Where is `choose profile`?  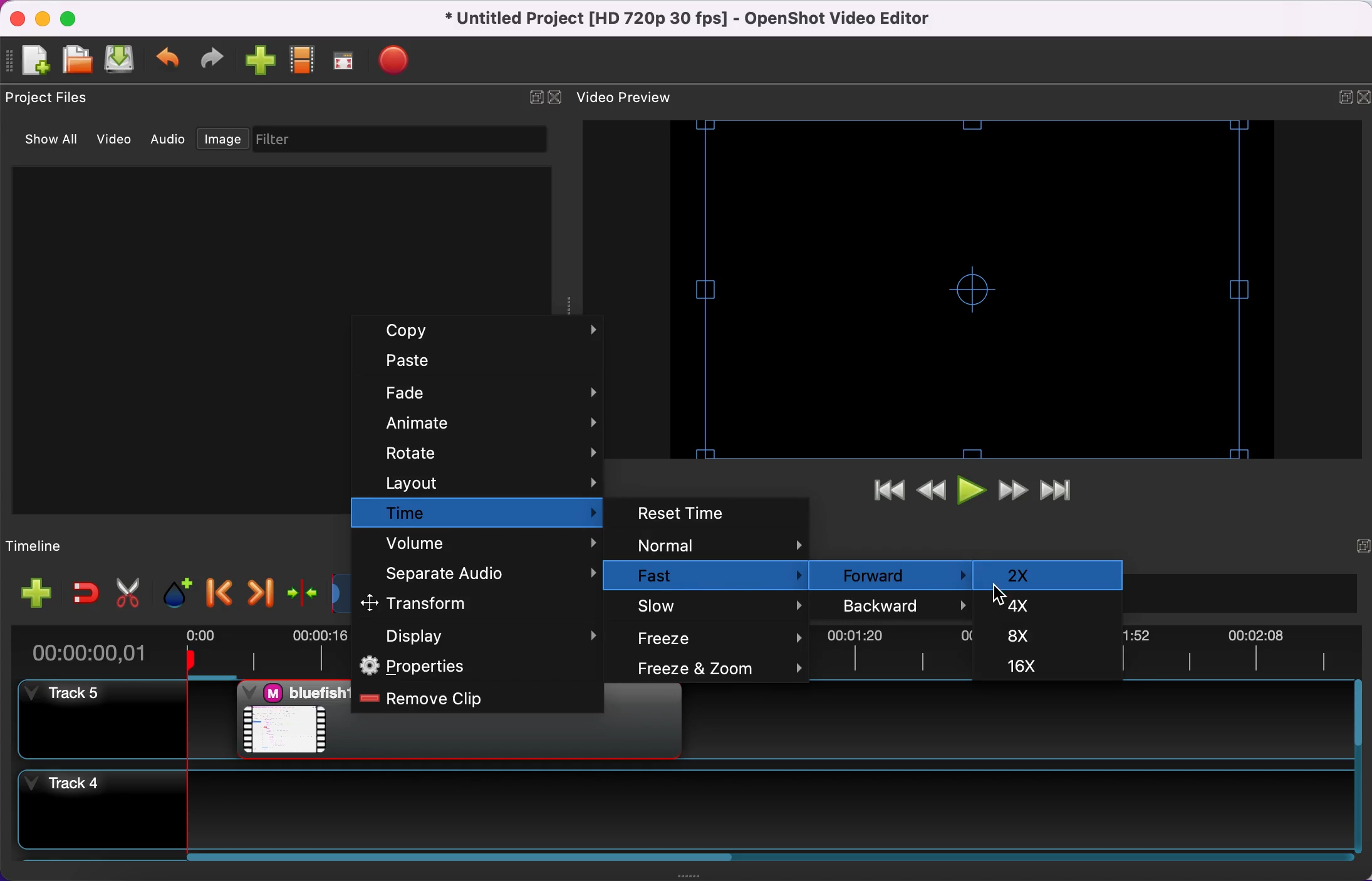
choose profile is located at coordinates (304, 60).